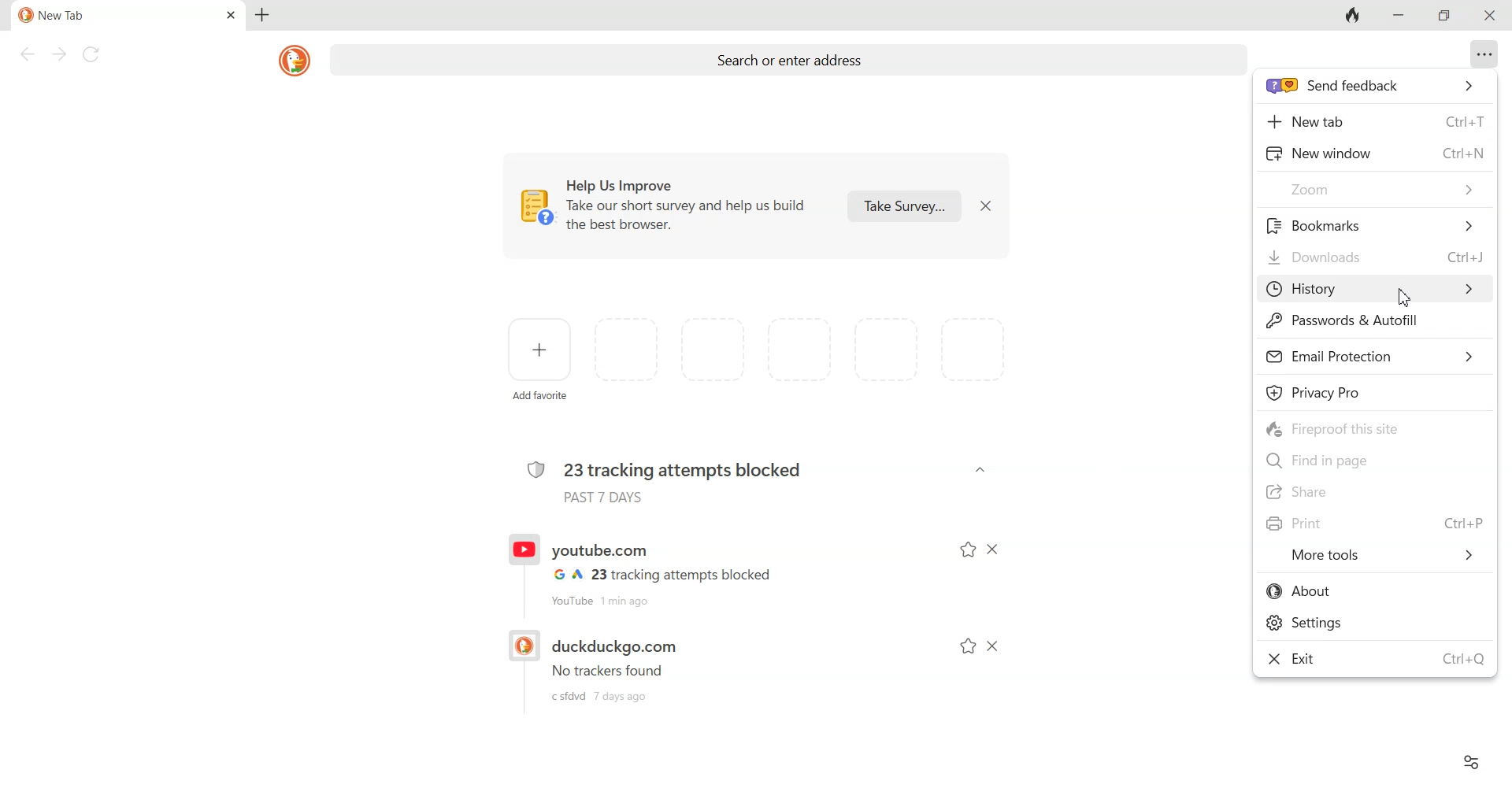 The image size is (1512, 803). I want to click on Settings, so click(1376, 623).